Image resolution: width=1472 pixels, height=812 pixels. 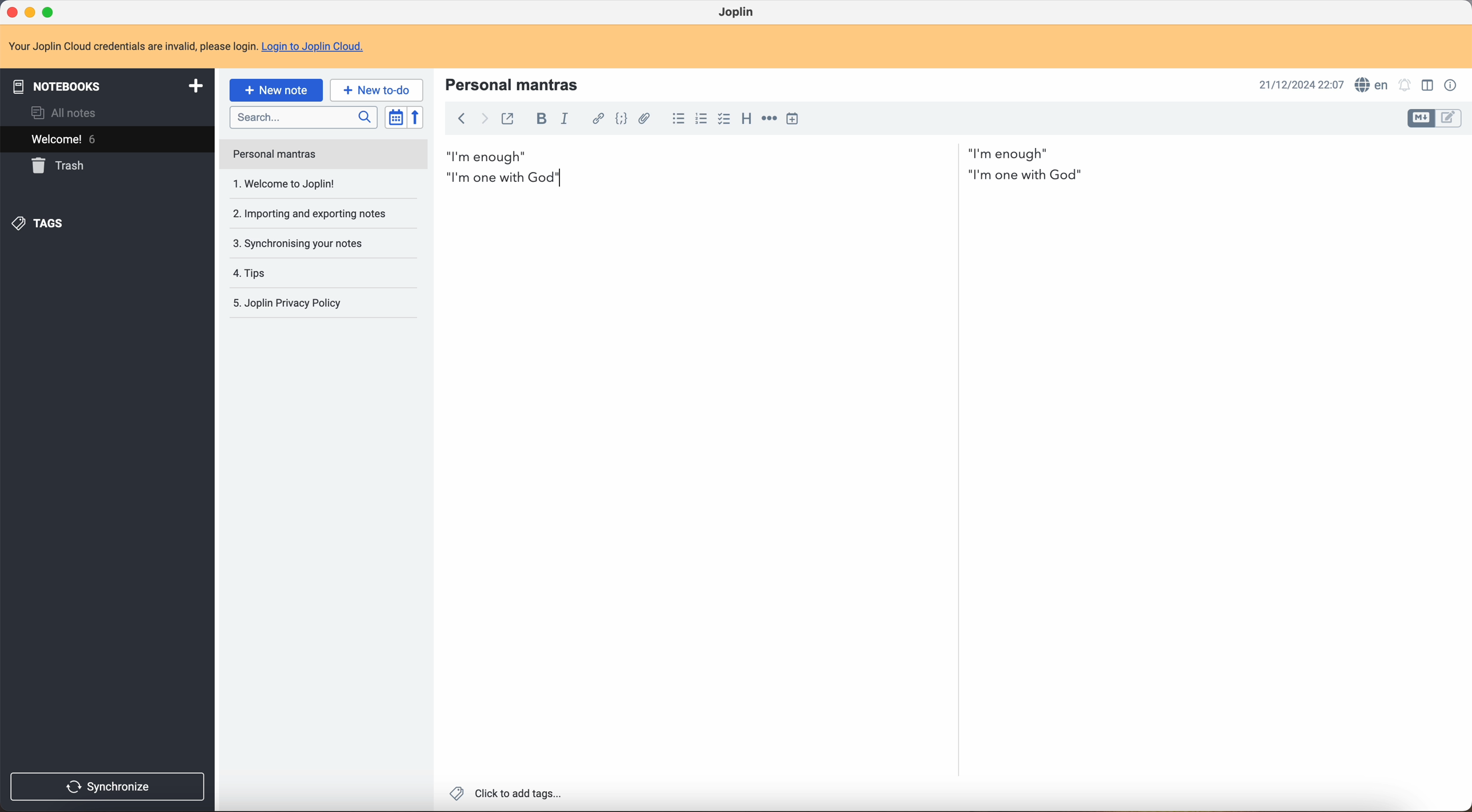 What do you see at coordinates (1451, 86) in the screenshot?
I see `note properties` at bounding box center [1451, 86].